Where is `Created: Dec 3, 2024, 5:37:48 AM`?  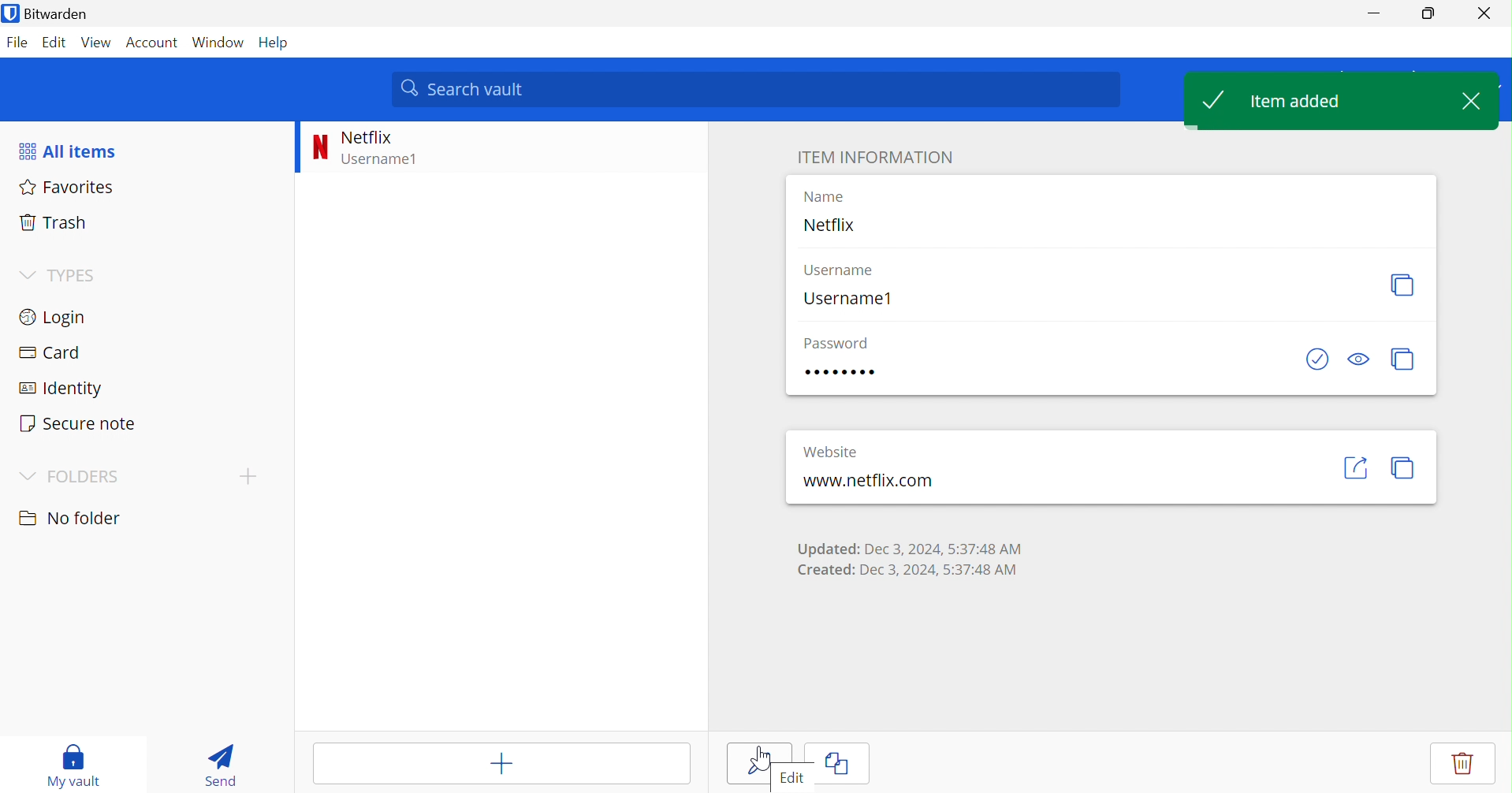
Created: Dec 3, 2024, 5:37:48 AM is located at coordinates (907, 570).